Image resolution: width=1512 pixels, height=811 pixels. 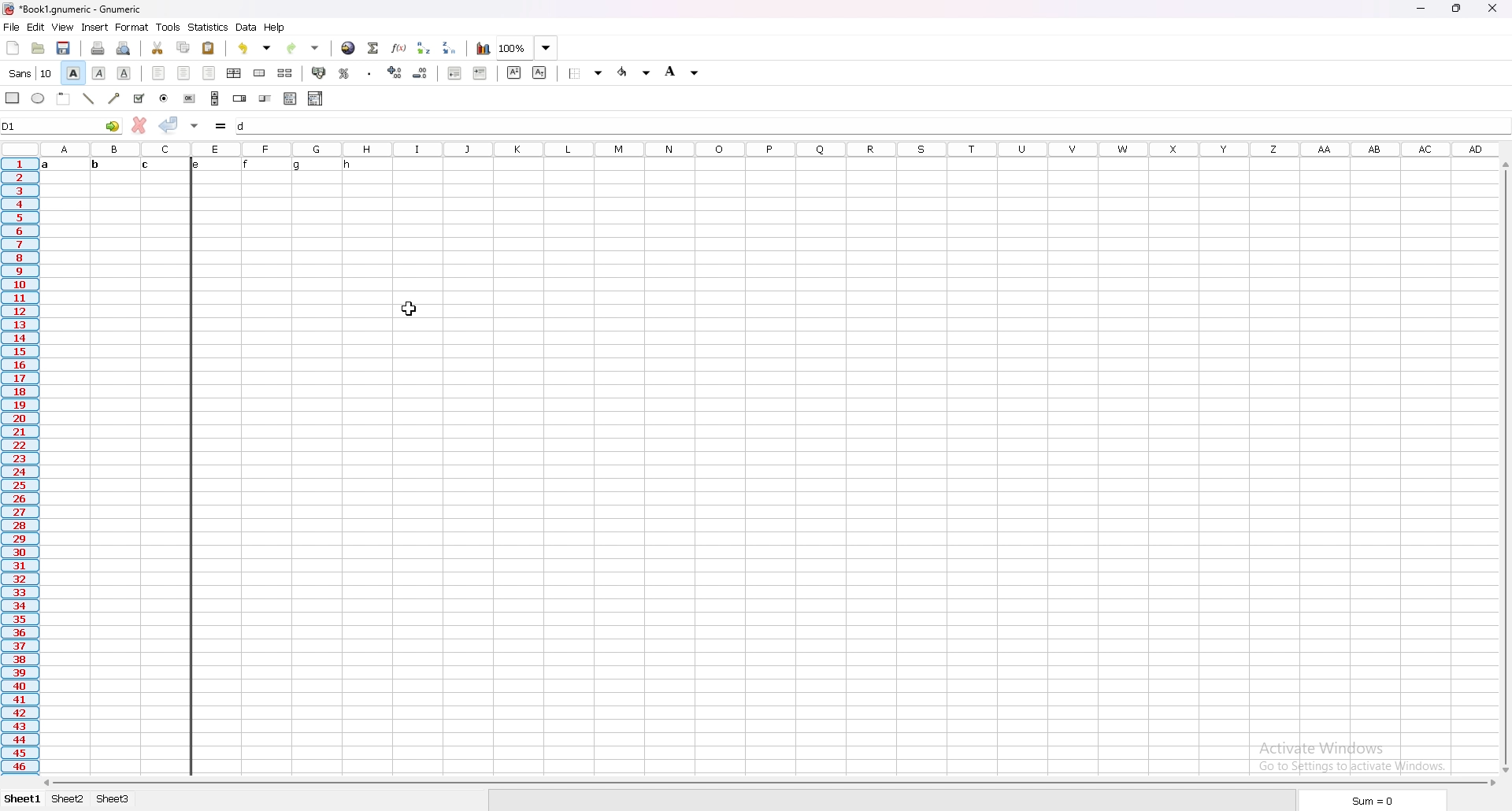 I want to click on insert, so click(x=95, y=27).